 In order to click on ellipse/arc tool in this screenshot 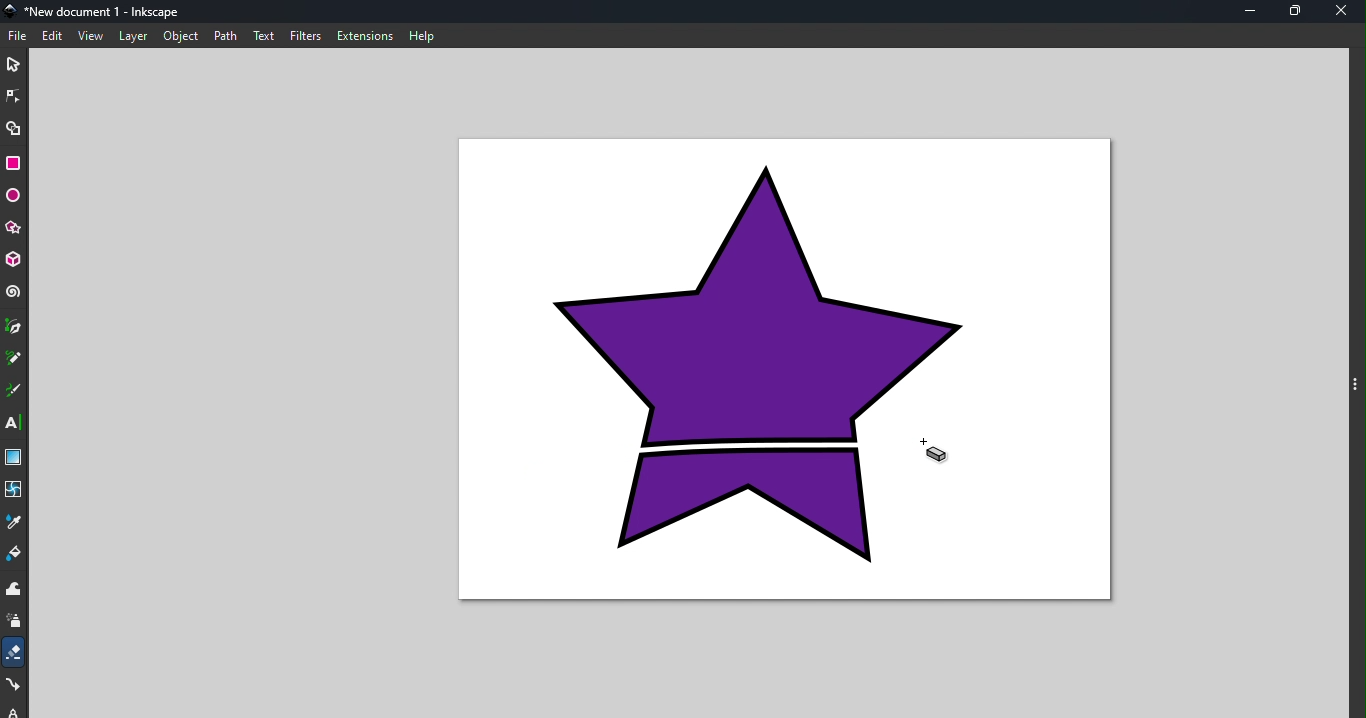, I will do `click(13, 196)`.